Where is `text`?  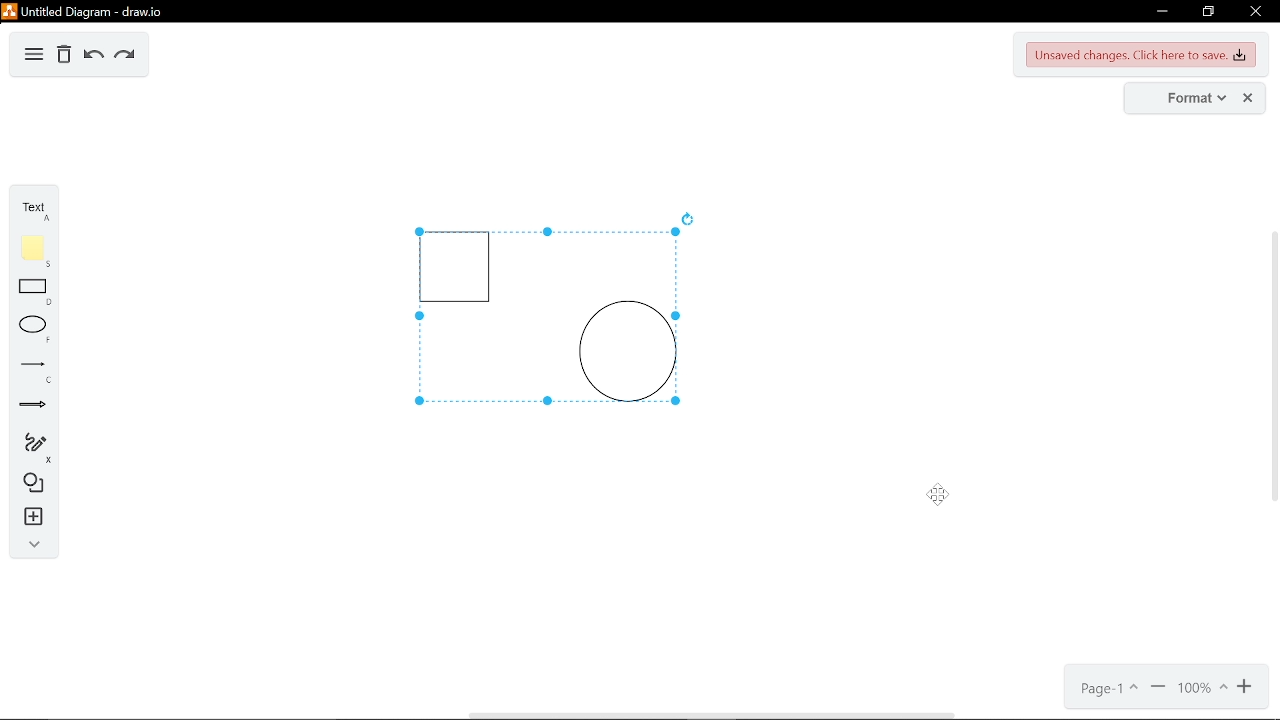 text is located at coordinates (32, 209).